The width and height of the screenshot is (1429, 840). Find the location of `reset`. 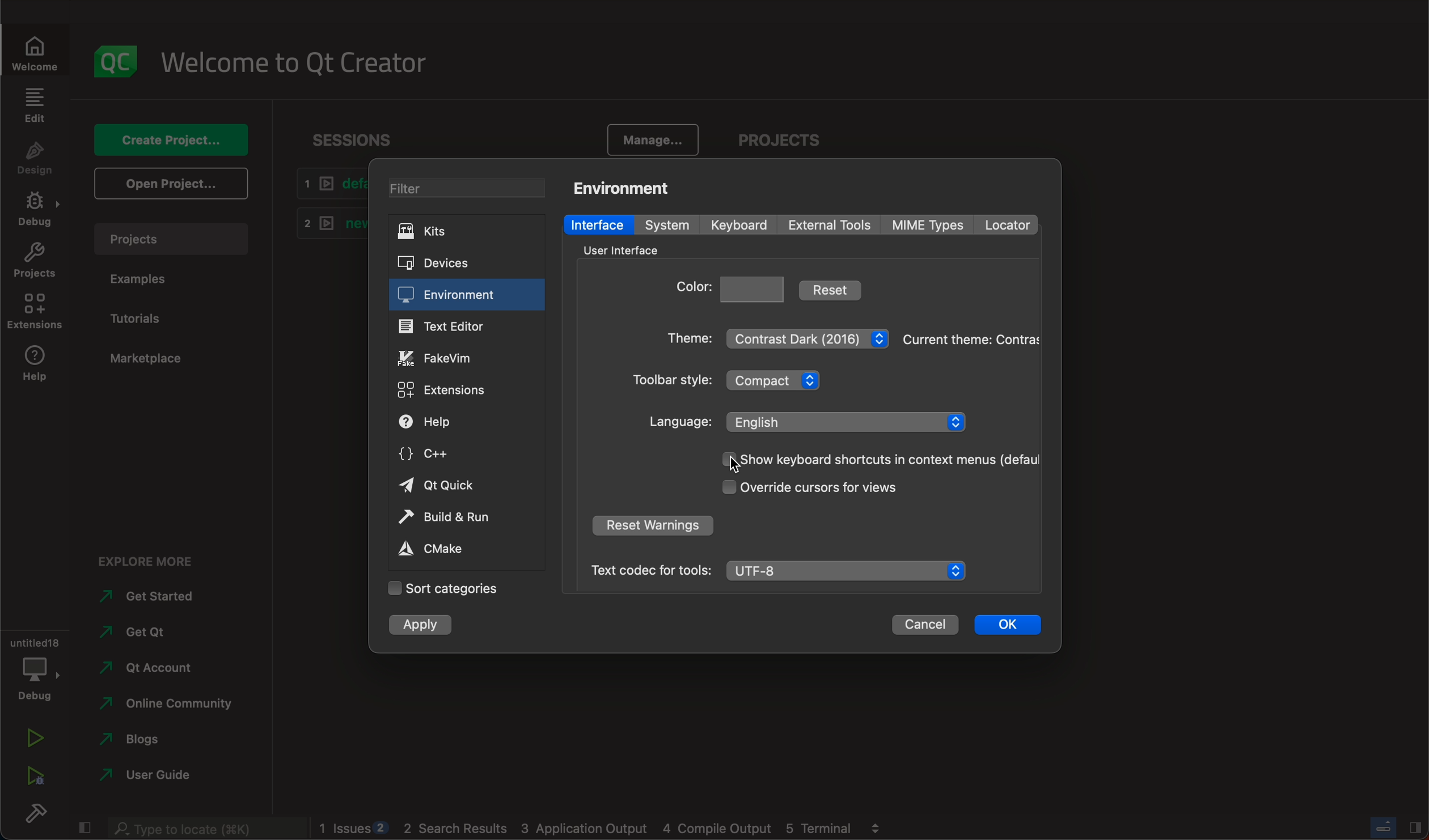

reset is located at coordinates (834, 289).